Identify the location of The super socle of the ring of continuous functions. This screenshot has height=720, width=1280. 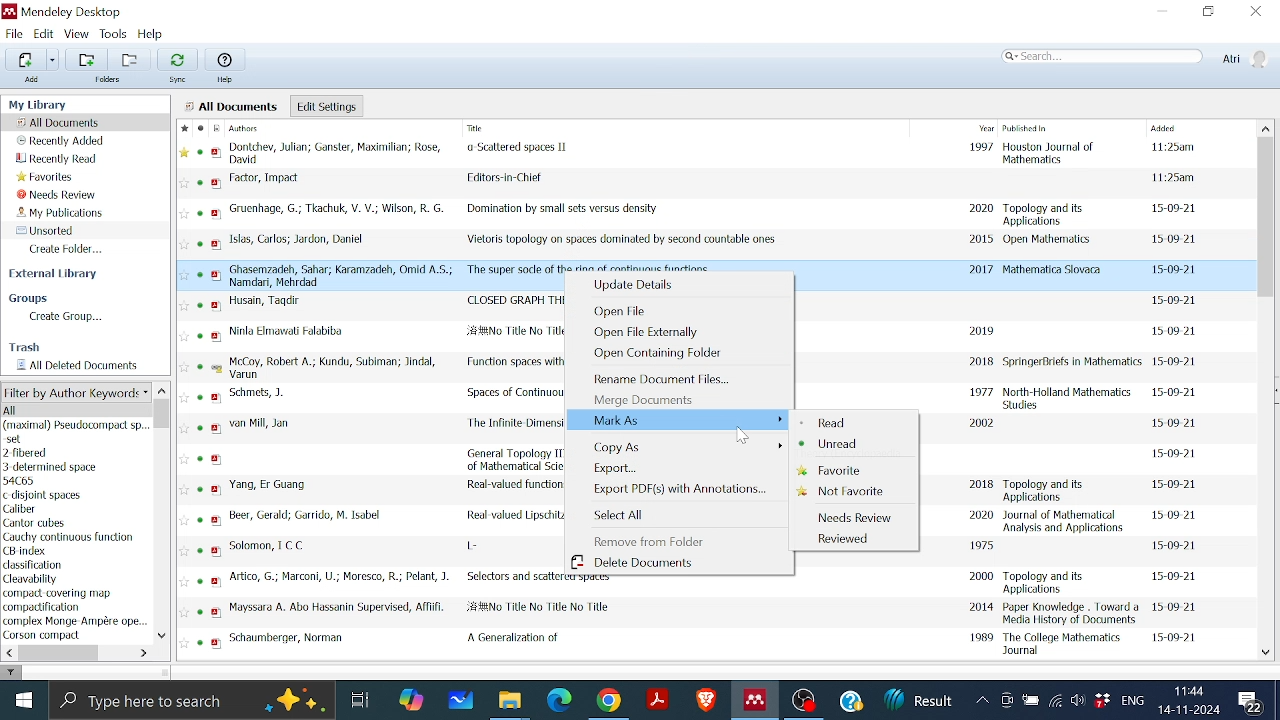
(368, 276).